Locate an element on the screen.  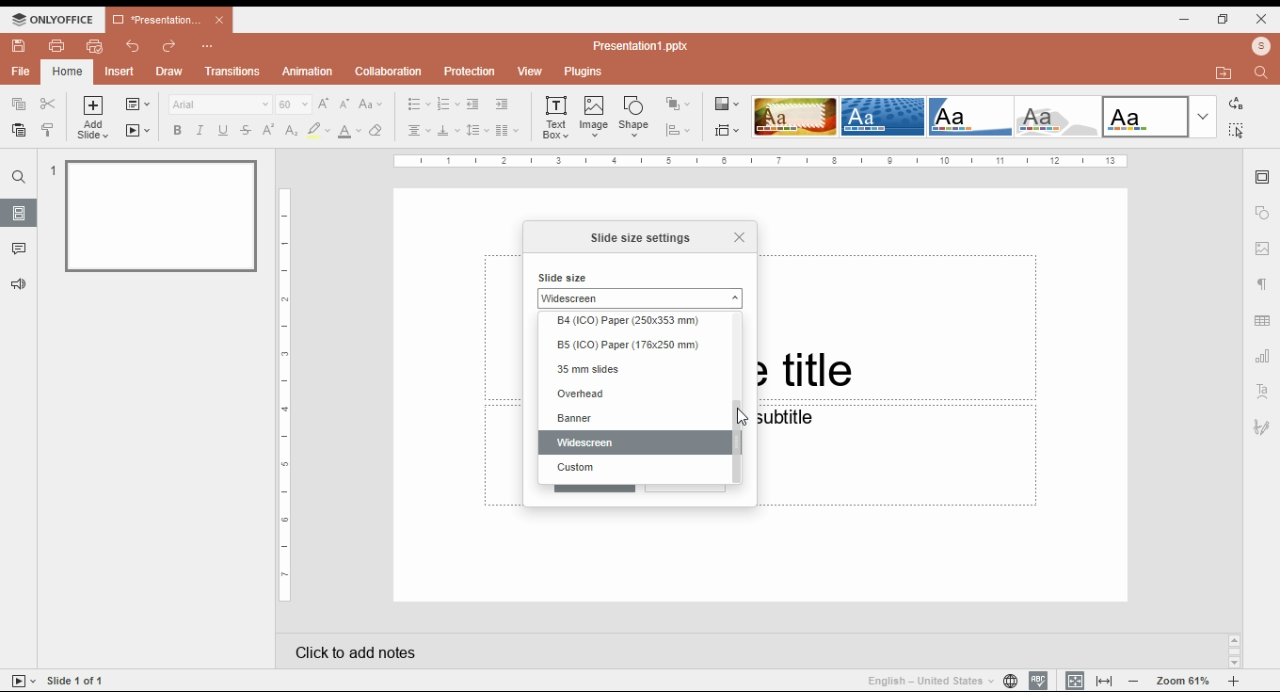
zoom out is located at coordinates (1134, 680).